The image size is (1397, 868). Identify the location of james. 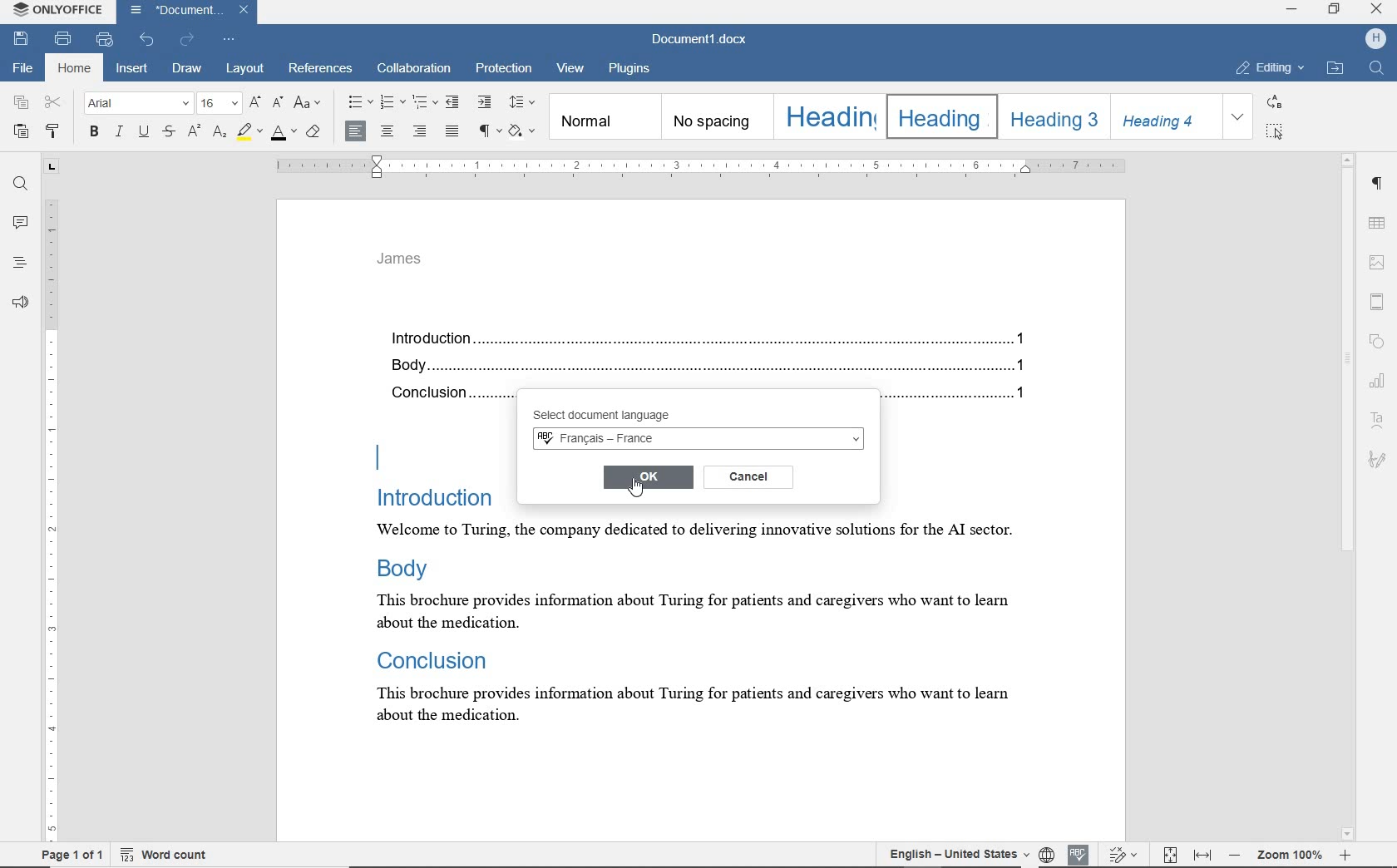
(400, 259).